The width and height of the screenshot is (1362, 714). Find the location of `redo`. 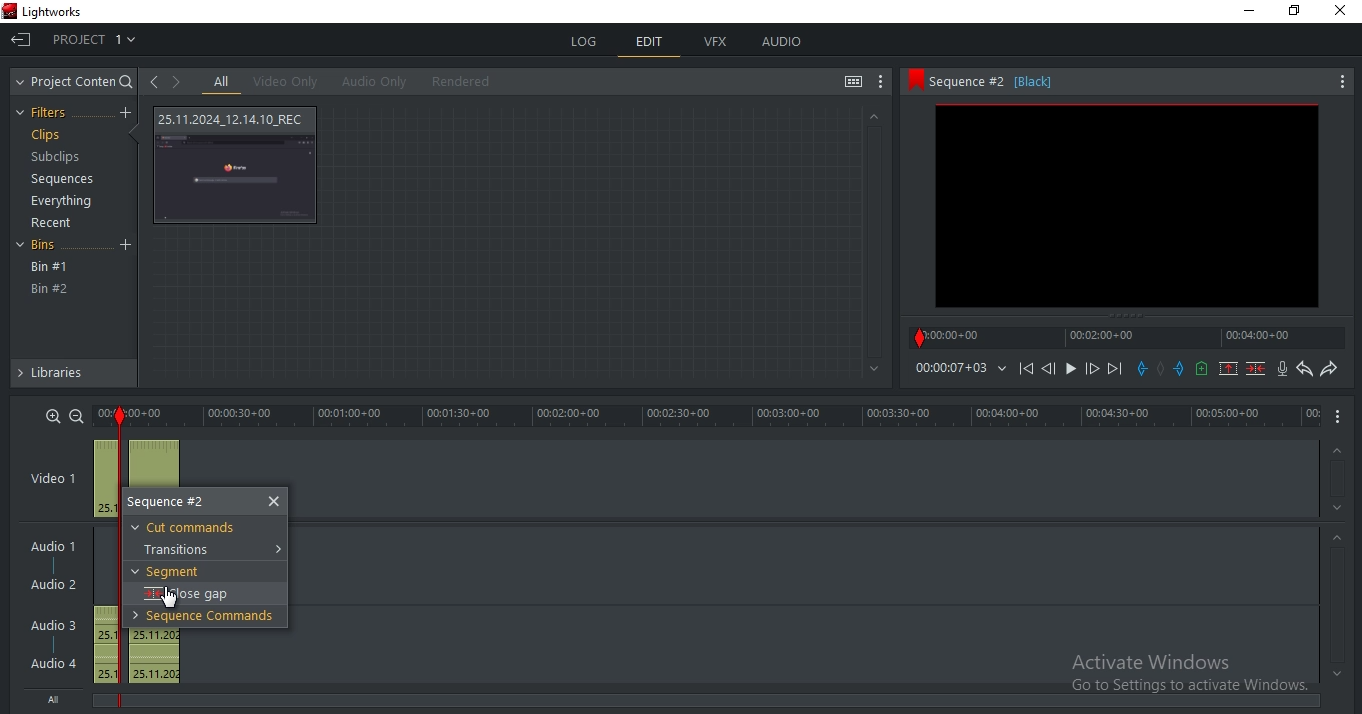

redo is located at coordinates (1329, 370).